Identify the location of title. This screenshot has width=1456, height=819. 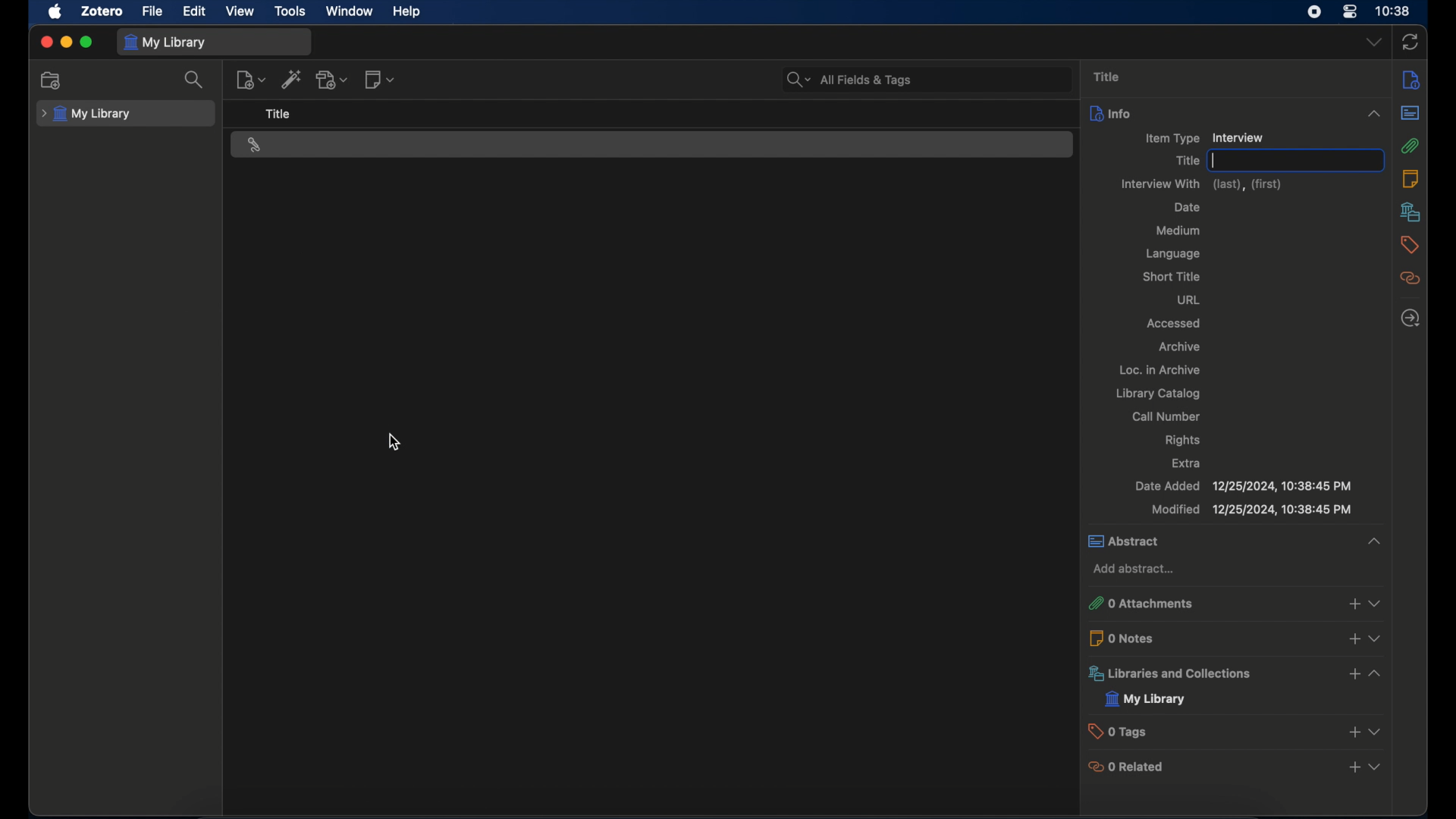
(1188, 161).